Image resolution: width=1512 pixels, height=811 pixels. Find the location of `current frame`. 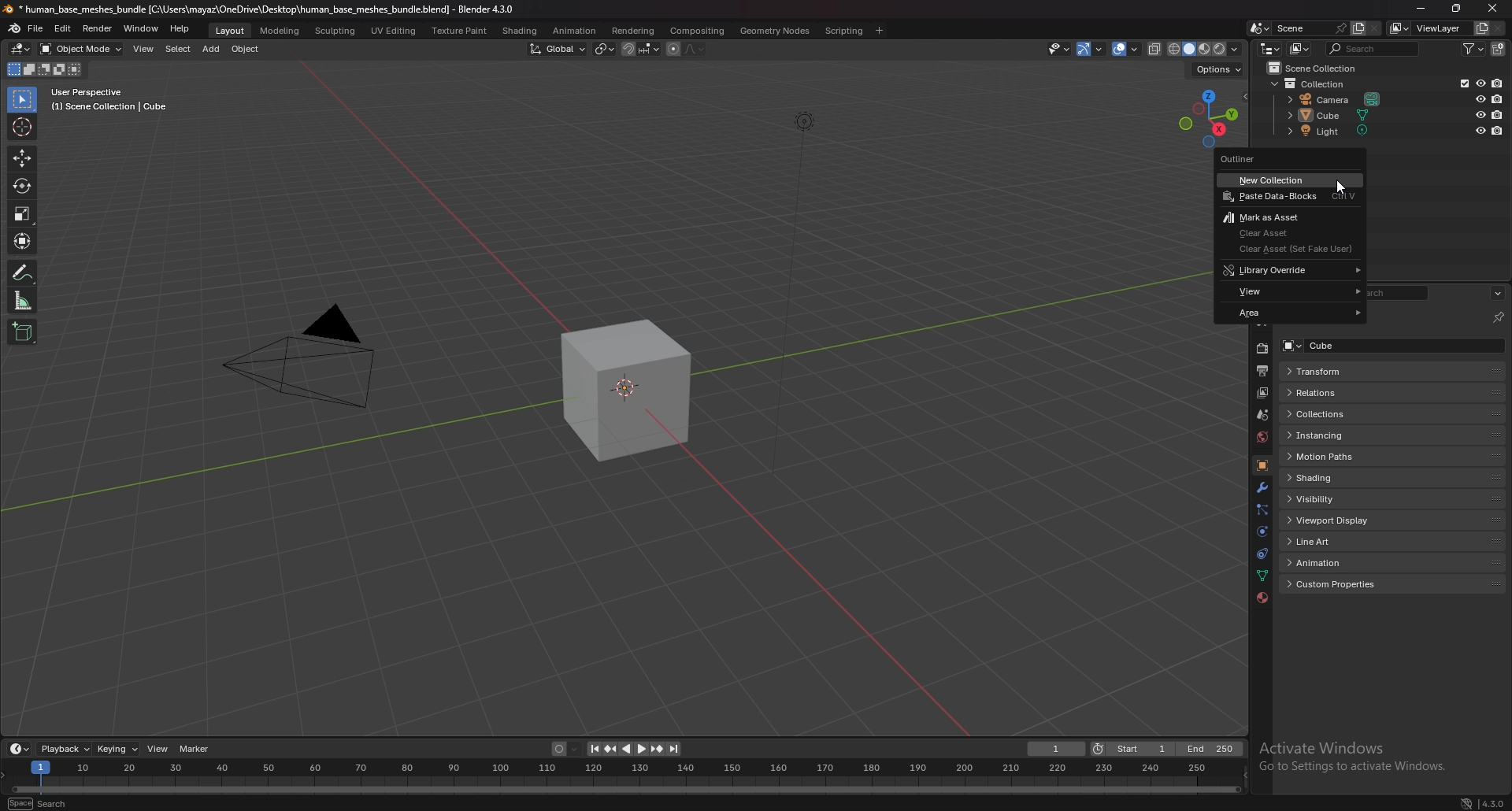

current frame is located at coordinates (1055, 750).